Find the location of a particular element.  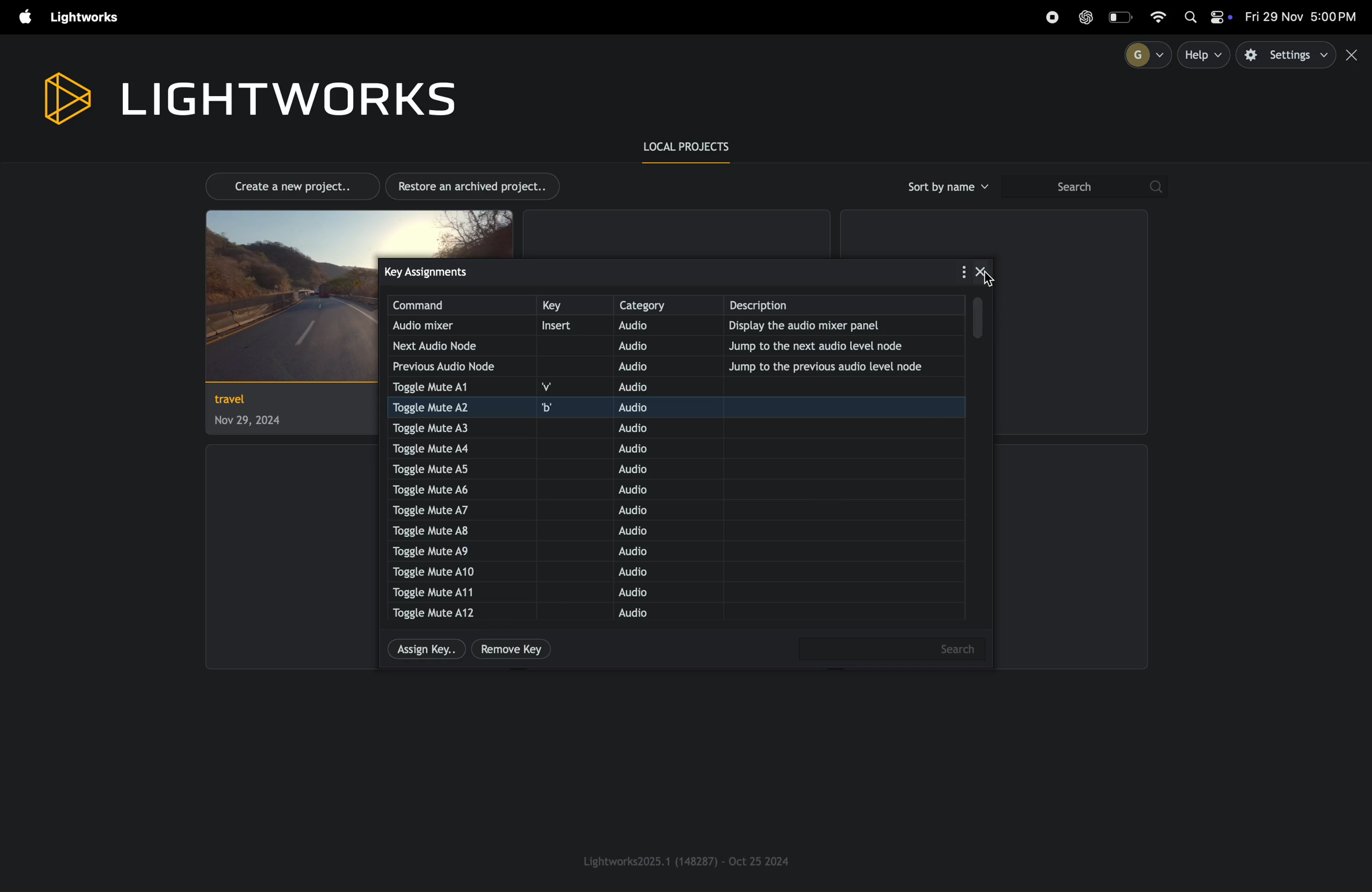

v is located at coordinates (555, 388).